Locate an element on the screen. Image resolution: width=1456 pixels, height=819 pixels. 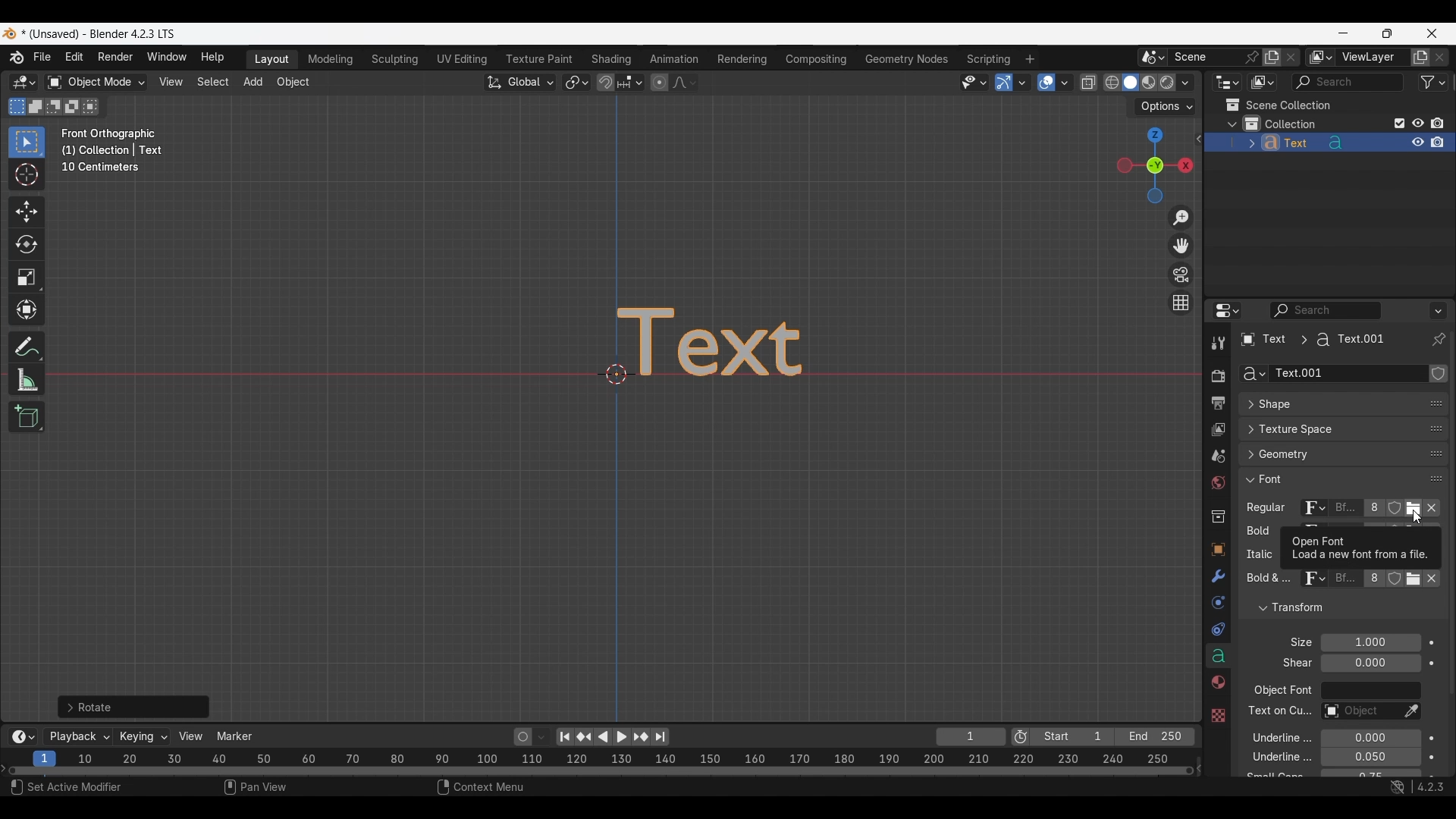
More options is located at coordinates (21, 737).